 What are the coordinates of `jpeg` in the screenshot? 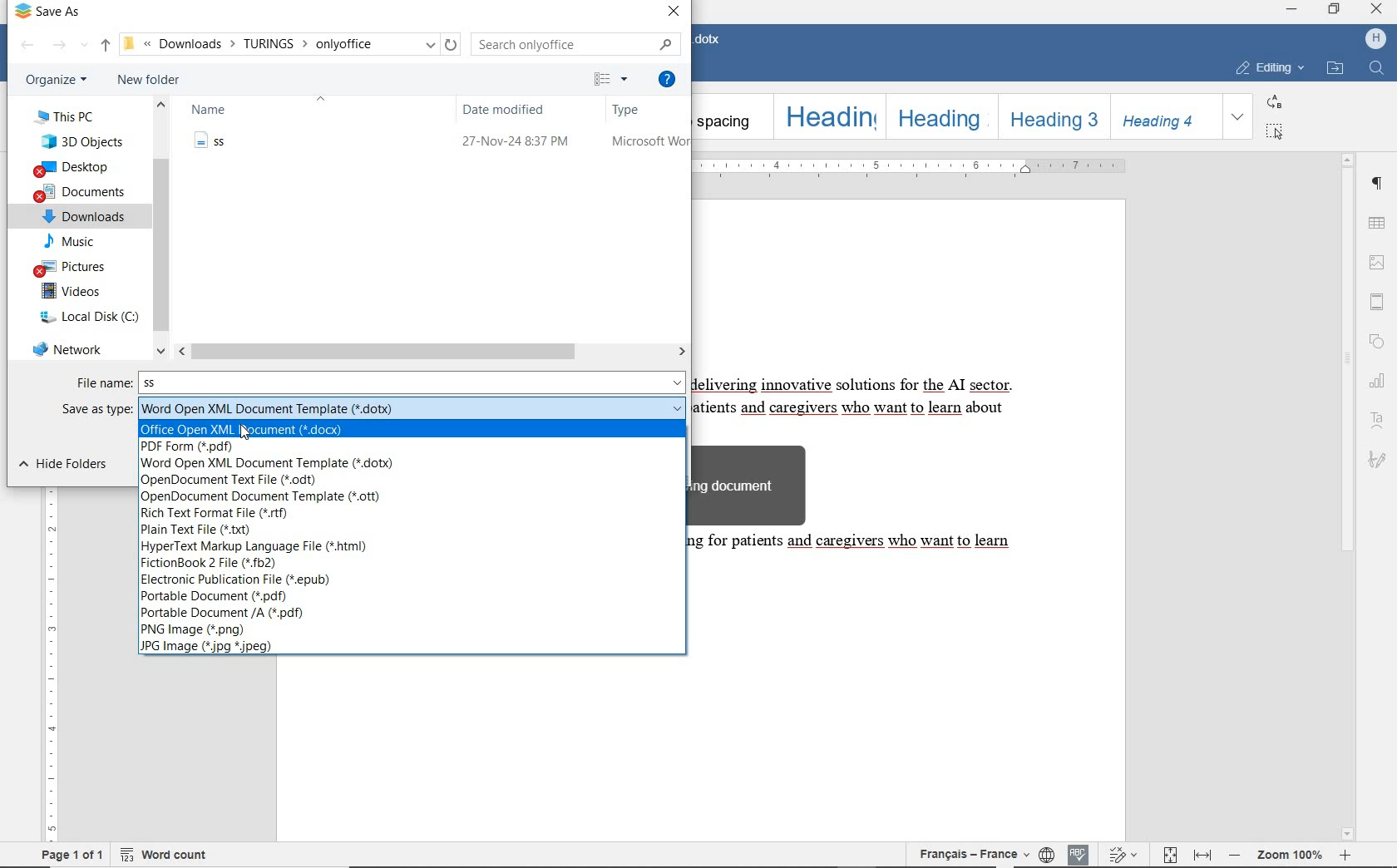 It's located at (210, 647).